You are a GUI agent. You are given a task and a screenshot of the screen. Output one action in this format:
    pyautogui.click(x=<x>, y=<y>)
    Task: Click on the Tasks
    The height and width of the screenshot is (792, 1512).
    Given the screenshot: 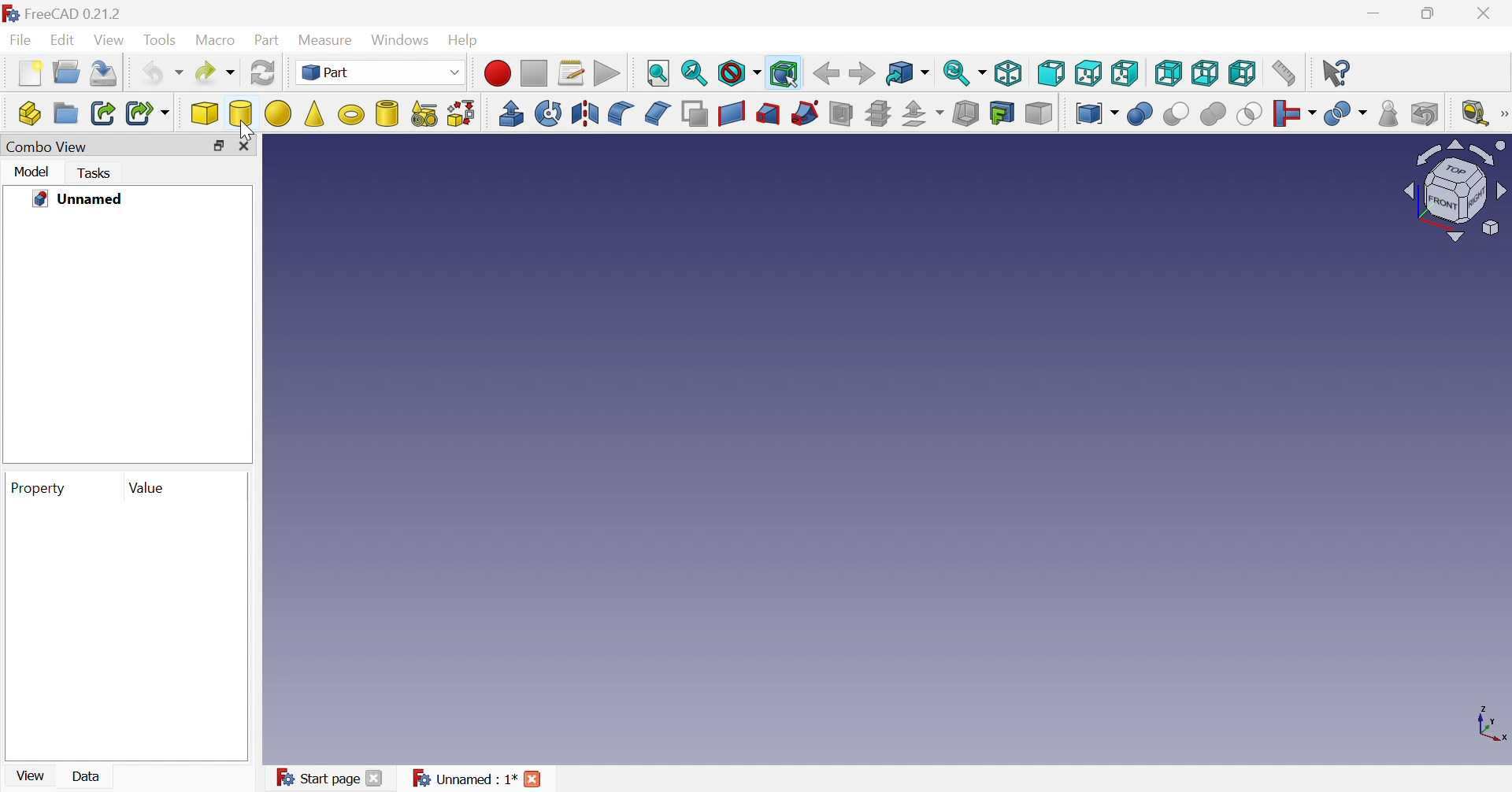 What is the action you would take?
    pyautogui.click(x=97, y=173)
    